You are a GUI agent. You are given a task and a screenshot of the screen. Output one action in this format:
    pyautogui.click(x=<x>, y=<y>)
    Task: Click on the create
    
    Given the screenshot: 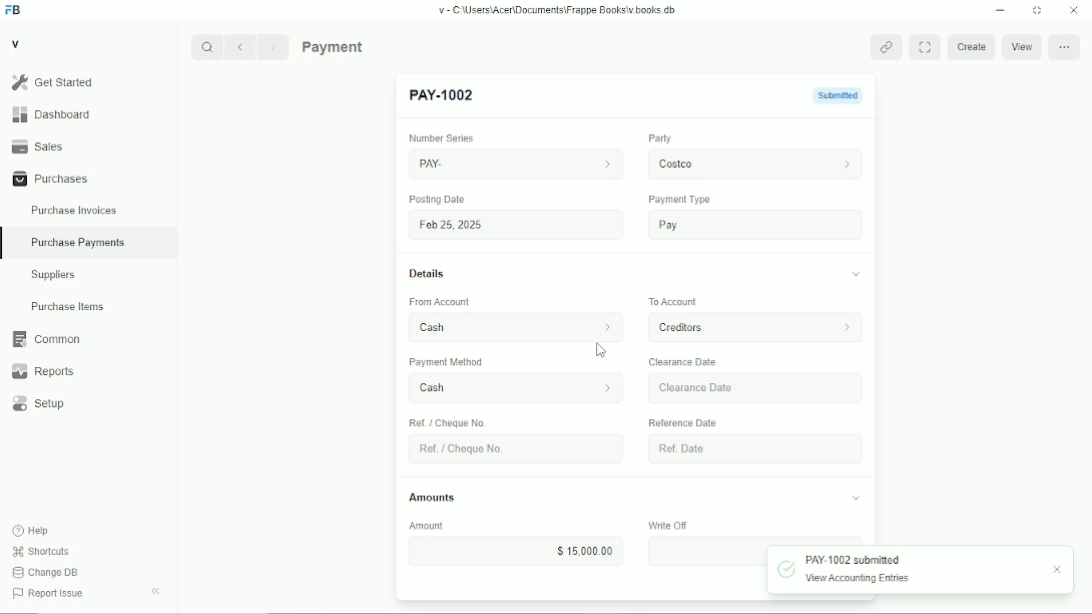 What is the action you would take?
    pyautogui.click(x=969, y=48)
    